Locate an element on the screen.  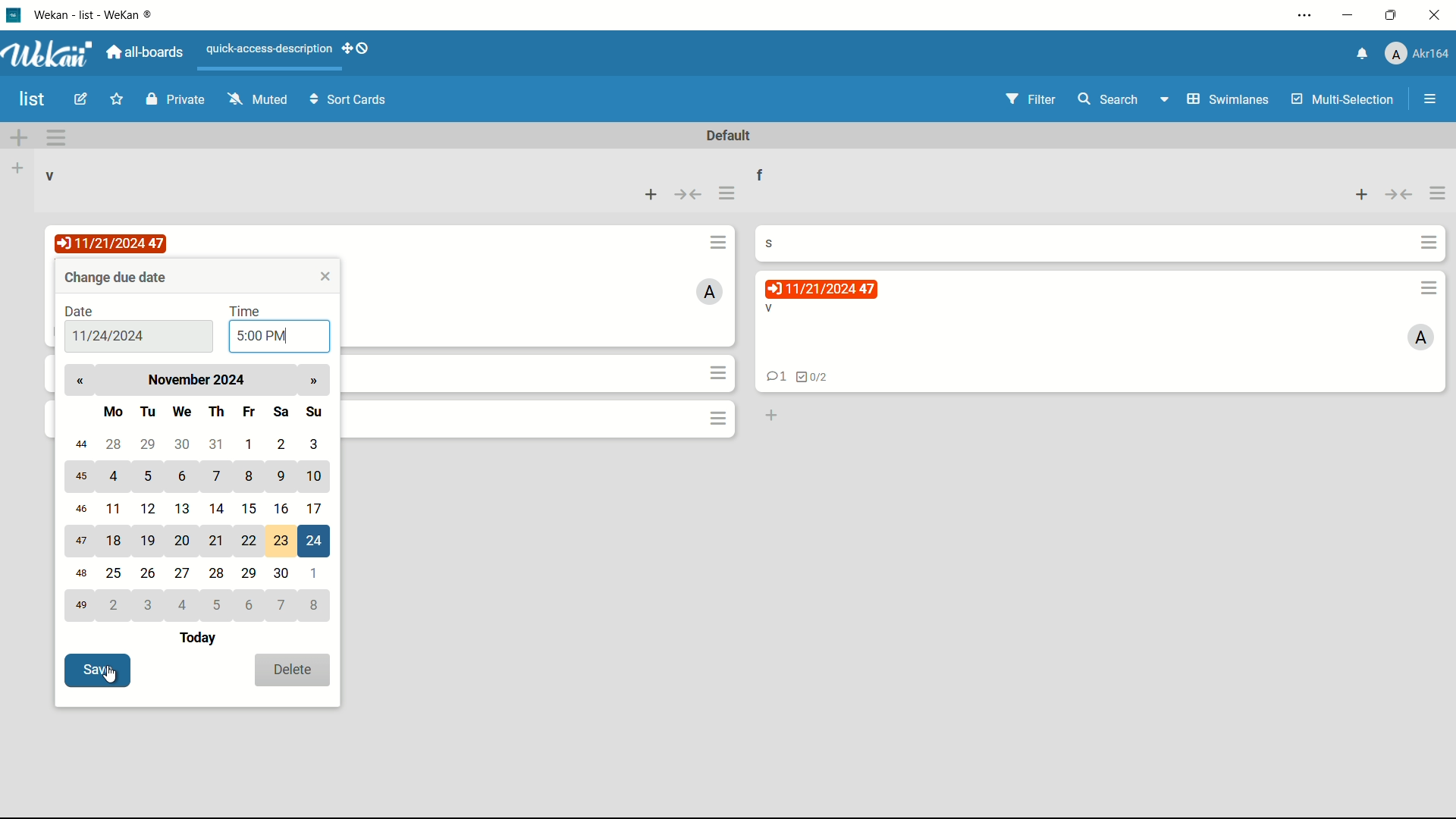
1 is located at coordinates (250, 444).